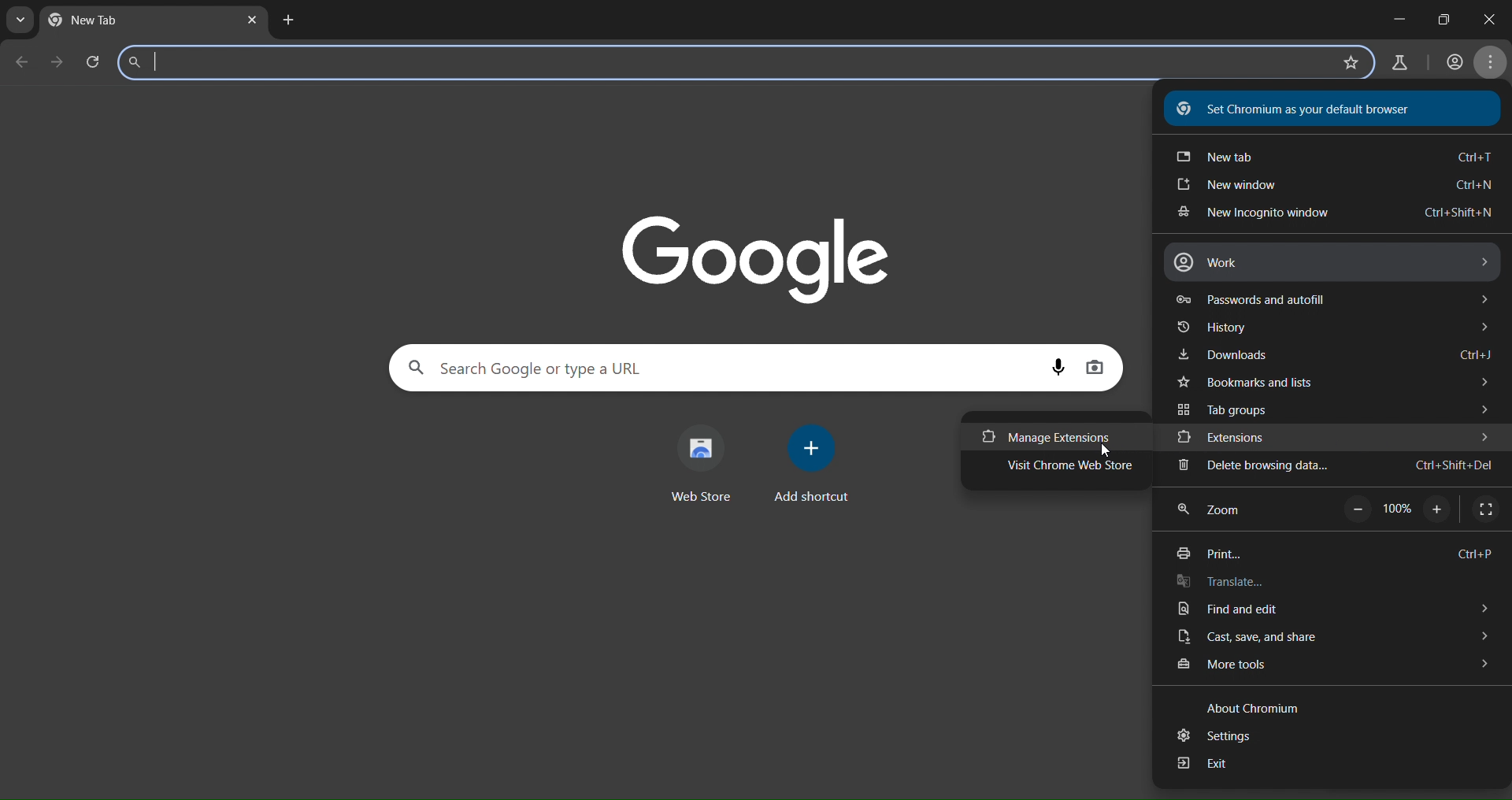  I want to click on settings, so click(1218, 738).